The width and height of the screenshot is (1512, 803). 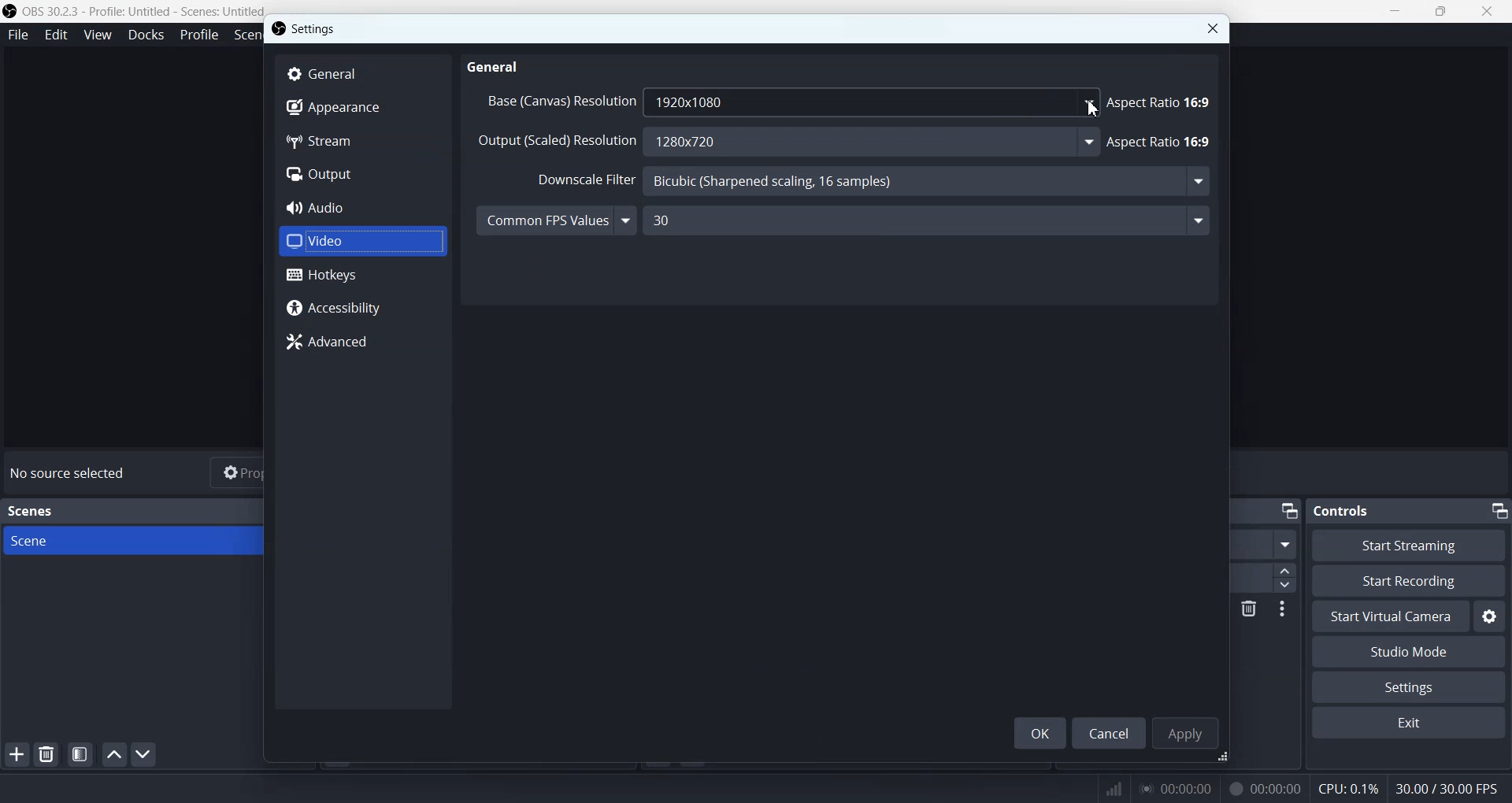 I want to click on Remove selected Scene, so click(x=47, y=754).